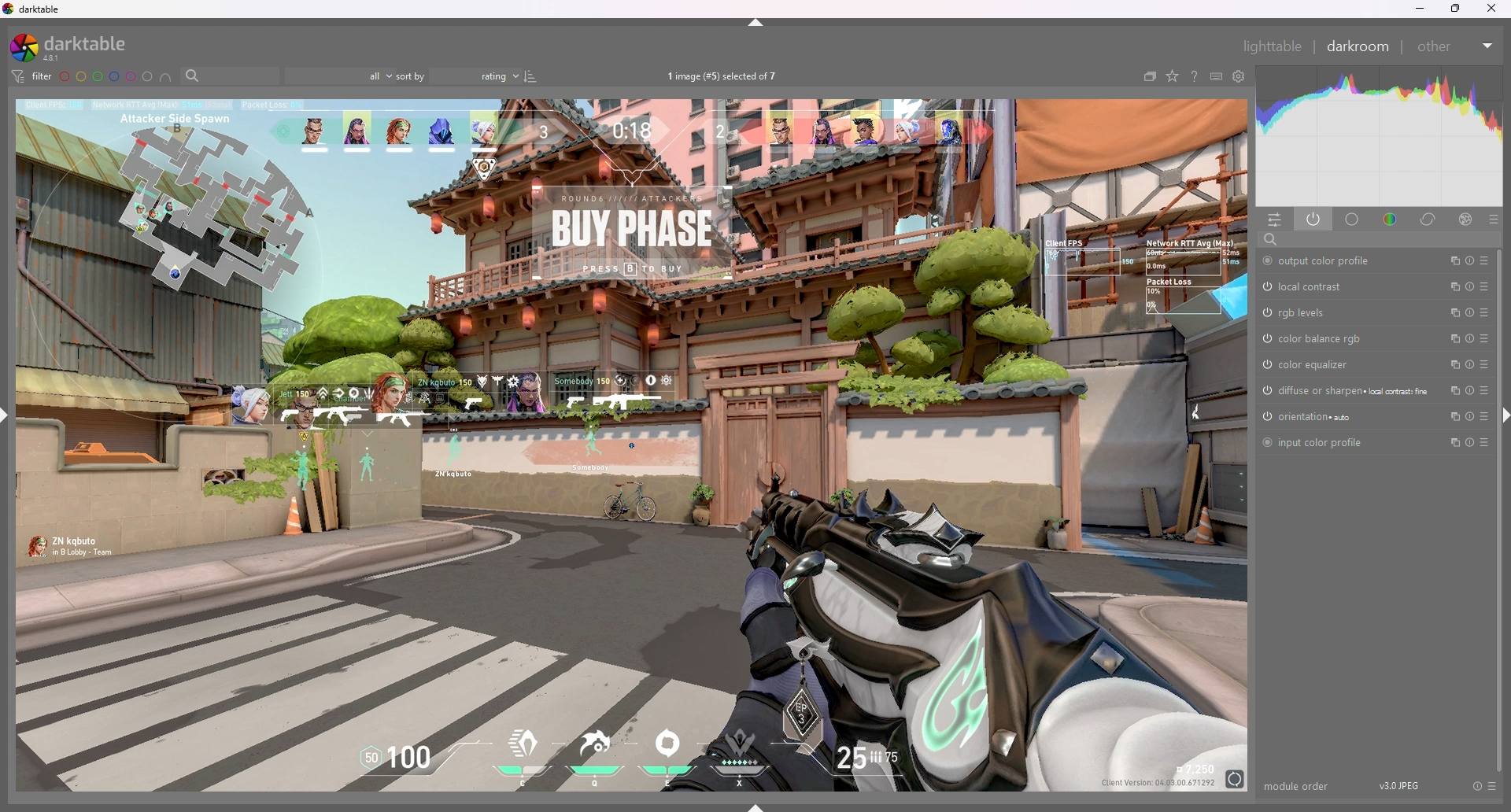  I want to click on module order, so click(1299, 786).